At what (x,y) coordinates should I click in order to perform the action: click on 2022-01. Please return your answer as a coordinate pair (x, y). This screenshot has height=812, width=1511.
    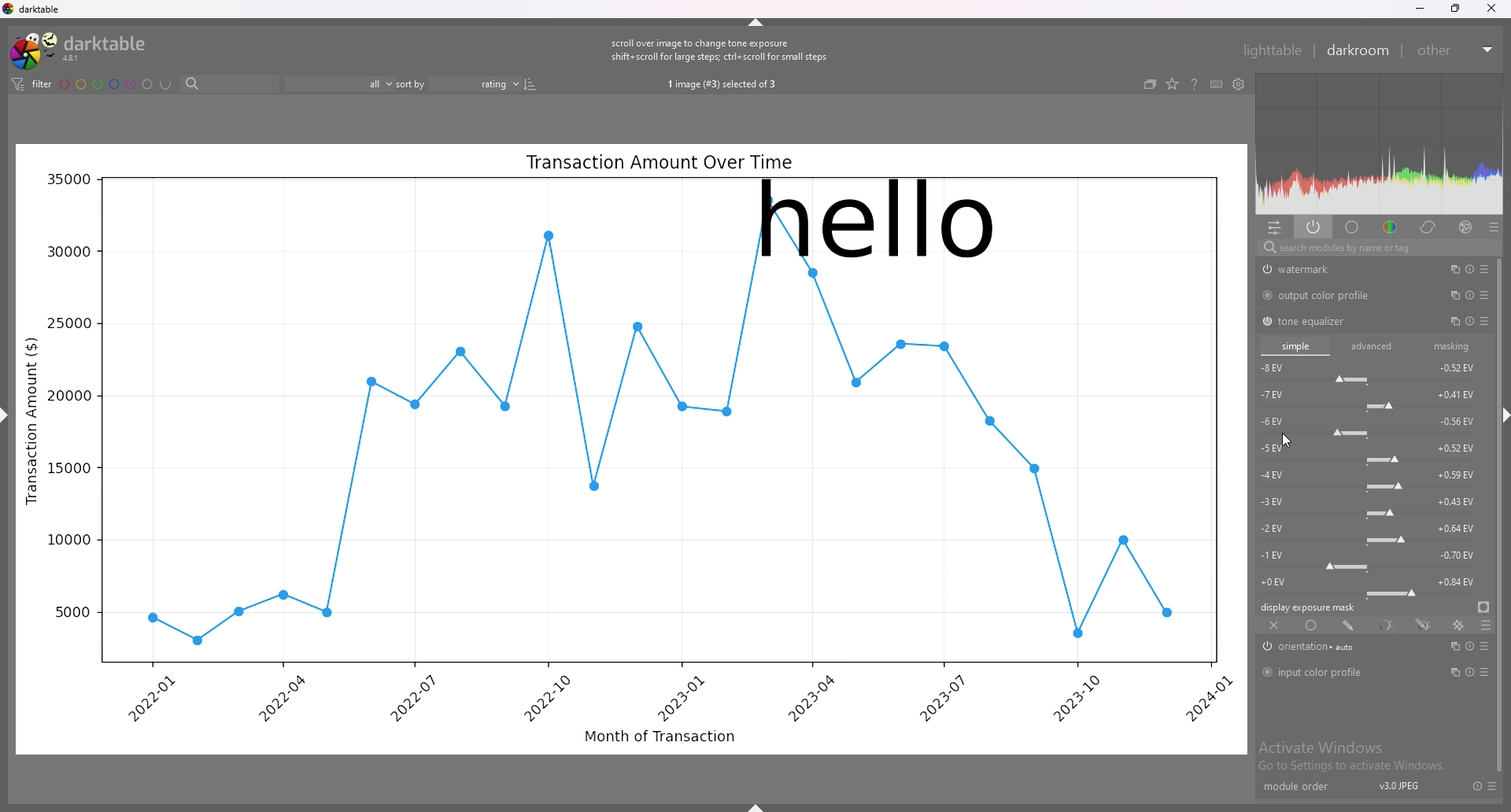
    Looking at the image, I should click on (157, 699).